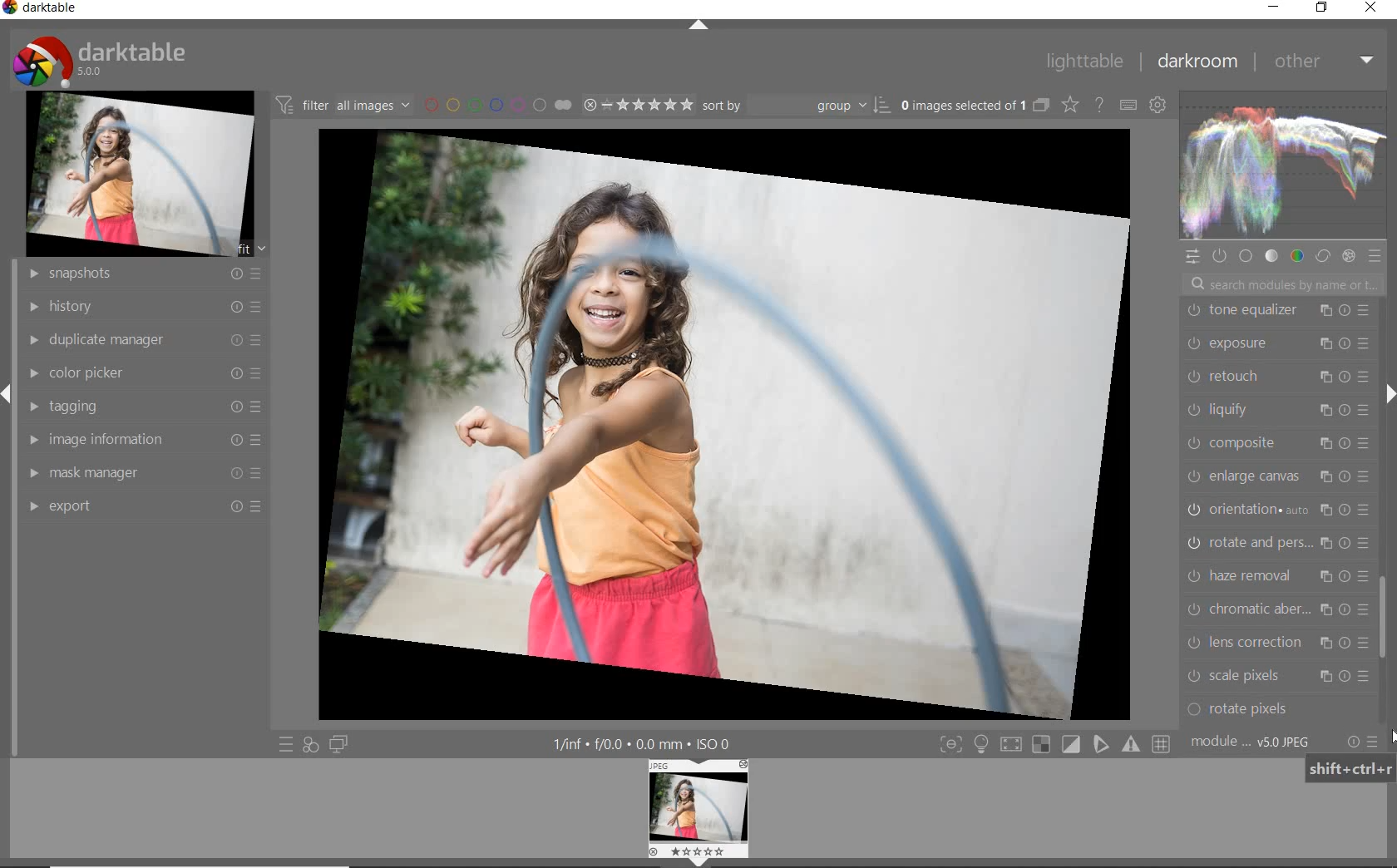 The height and width of the screenshot is (868, 1397). I want to click on scale pixels, so click(1277, 677).